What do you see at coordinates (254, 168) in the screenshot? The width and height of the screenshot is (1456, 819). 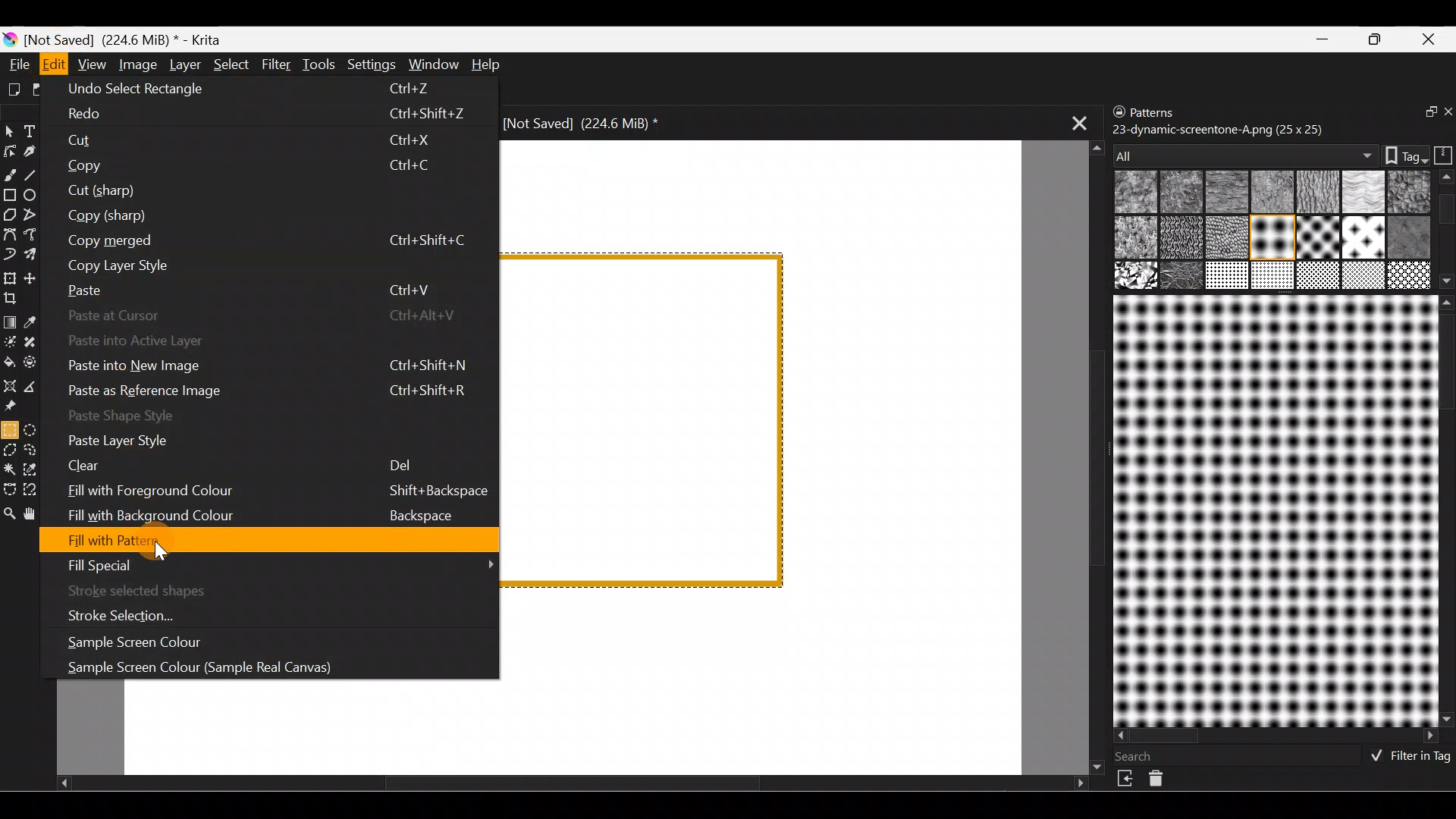 I see `Copy` at bounding box center [254, 168].